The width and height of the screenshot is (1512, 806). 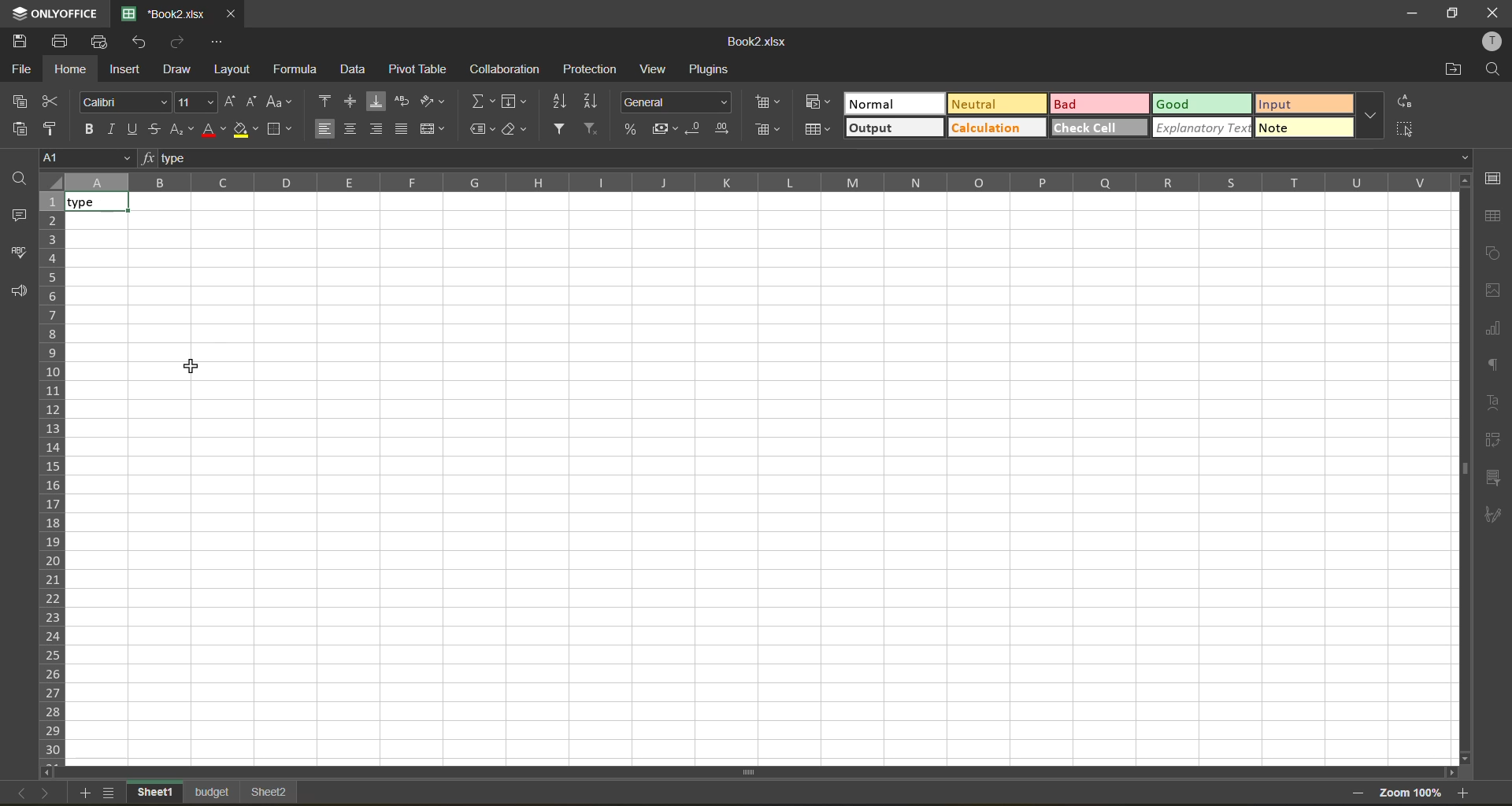 What do you see at coordinates (1494, 216) in the screenshot?
I see `table` at bounding box center [1494, 216].